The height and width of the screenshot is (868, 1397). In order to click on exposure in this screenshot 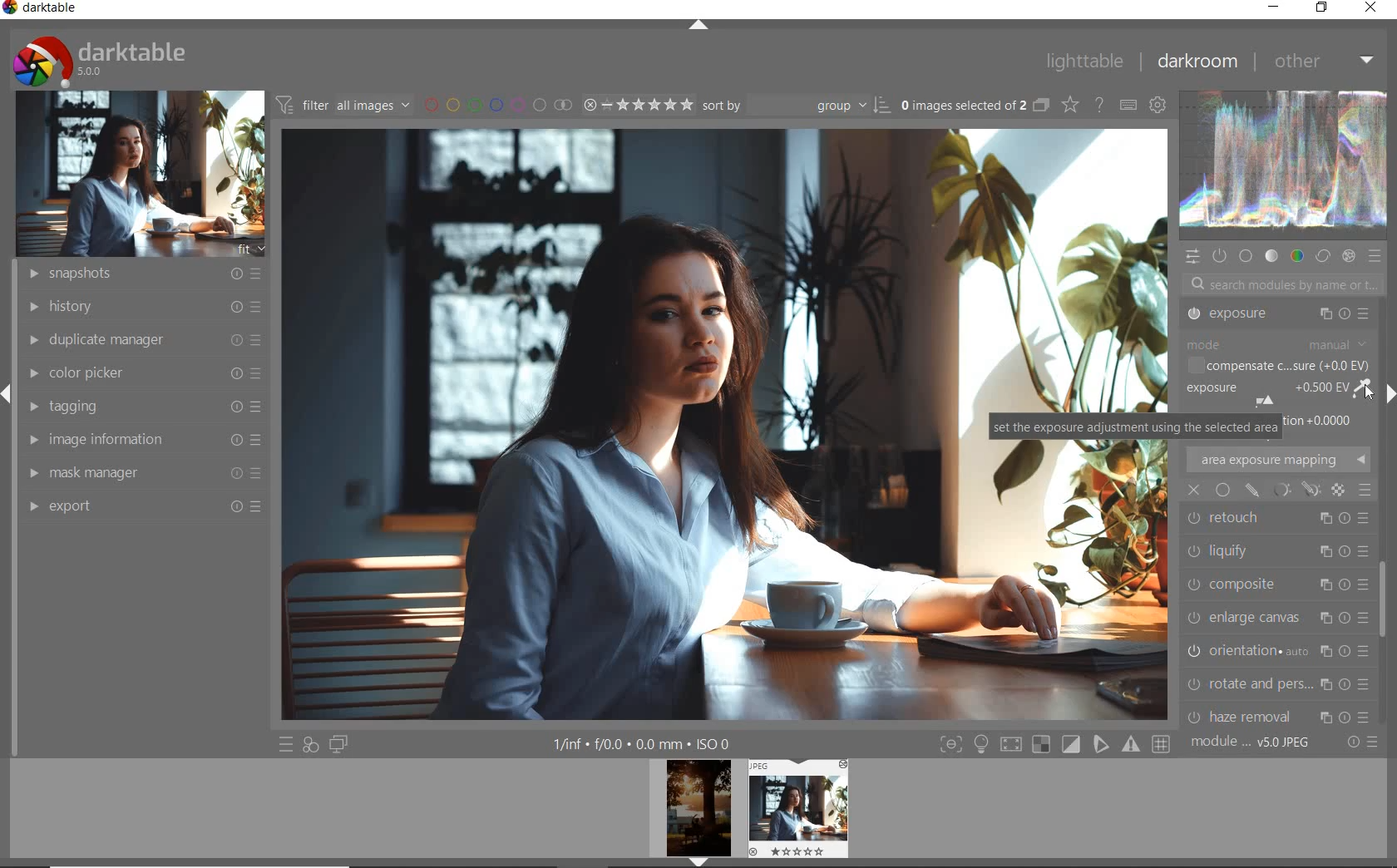, I will do `click(1283, 393)`.